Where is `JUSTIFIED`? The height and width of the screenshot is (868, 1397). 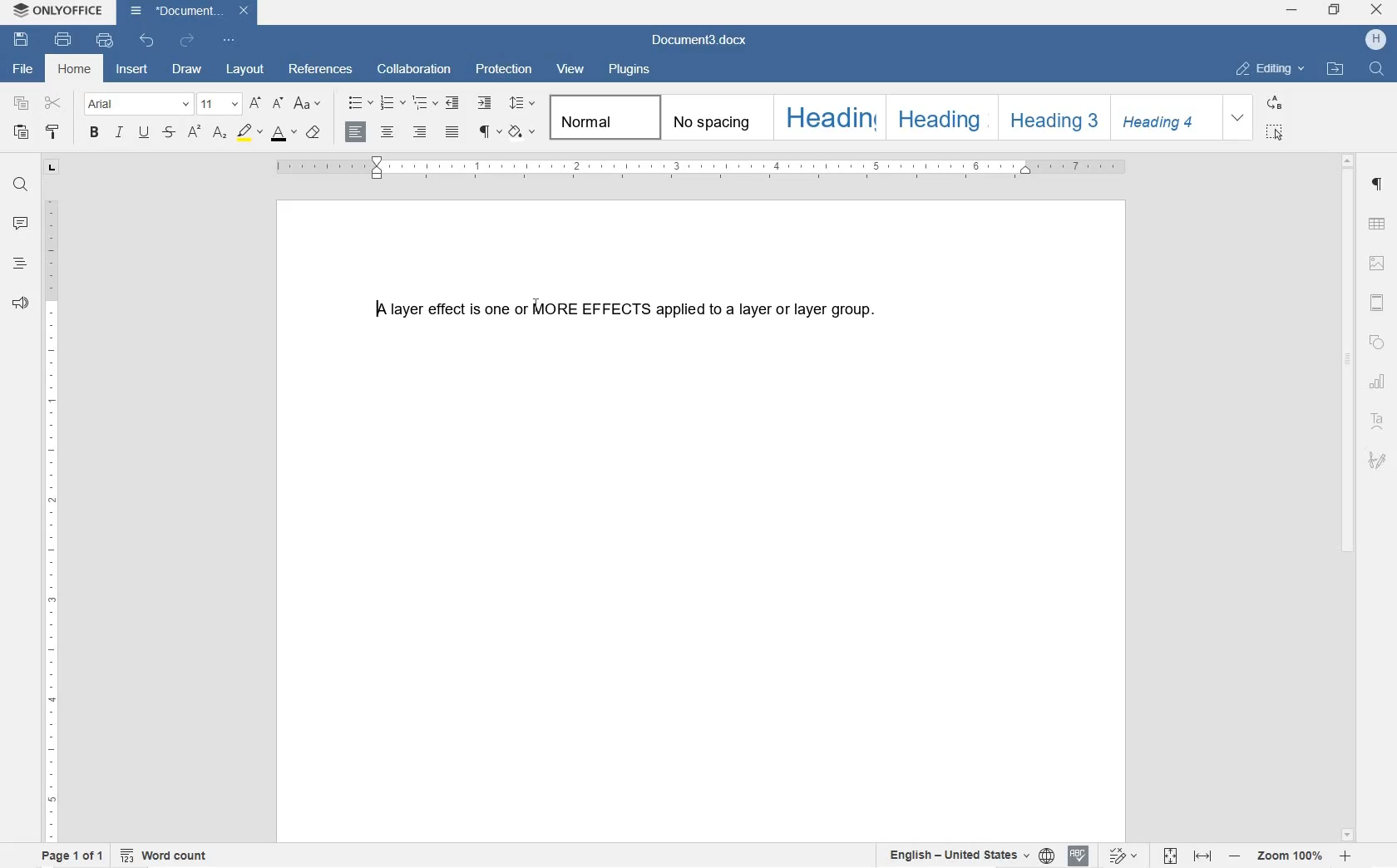
JUSTIFIED is located at coordinates (452, 133).